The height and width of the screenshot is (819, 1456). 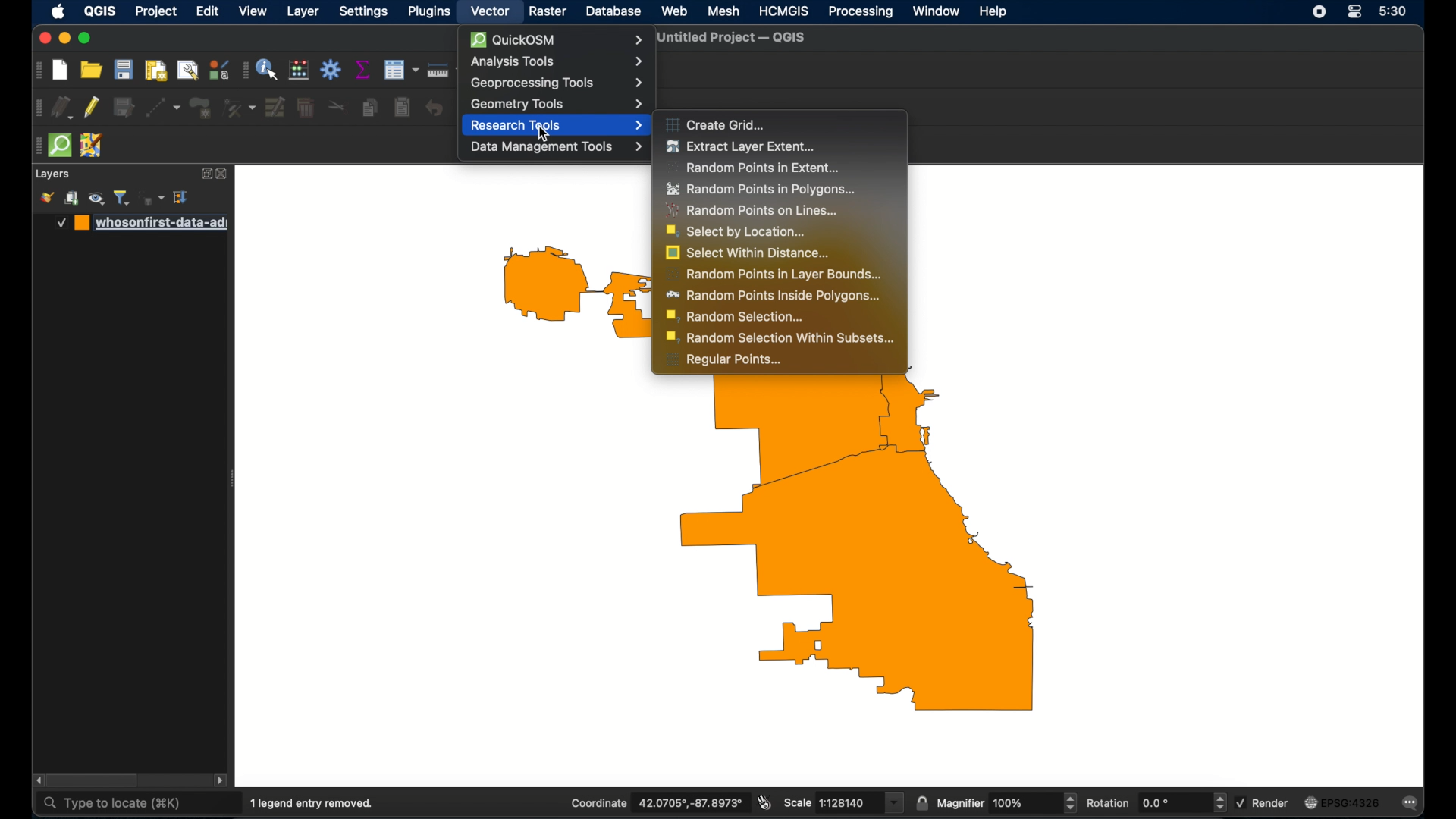 What do you see at coordinates (723, 12) in the screenshot?
I see `mesh` at bounding box center [723, 12].